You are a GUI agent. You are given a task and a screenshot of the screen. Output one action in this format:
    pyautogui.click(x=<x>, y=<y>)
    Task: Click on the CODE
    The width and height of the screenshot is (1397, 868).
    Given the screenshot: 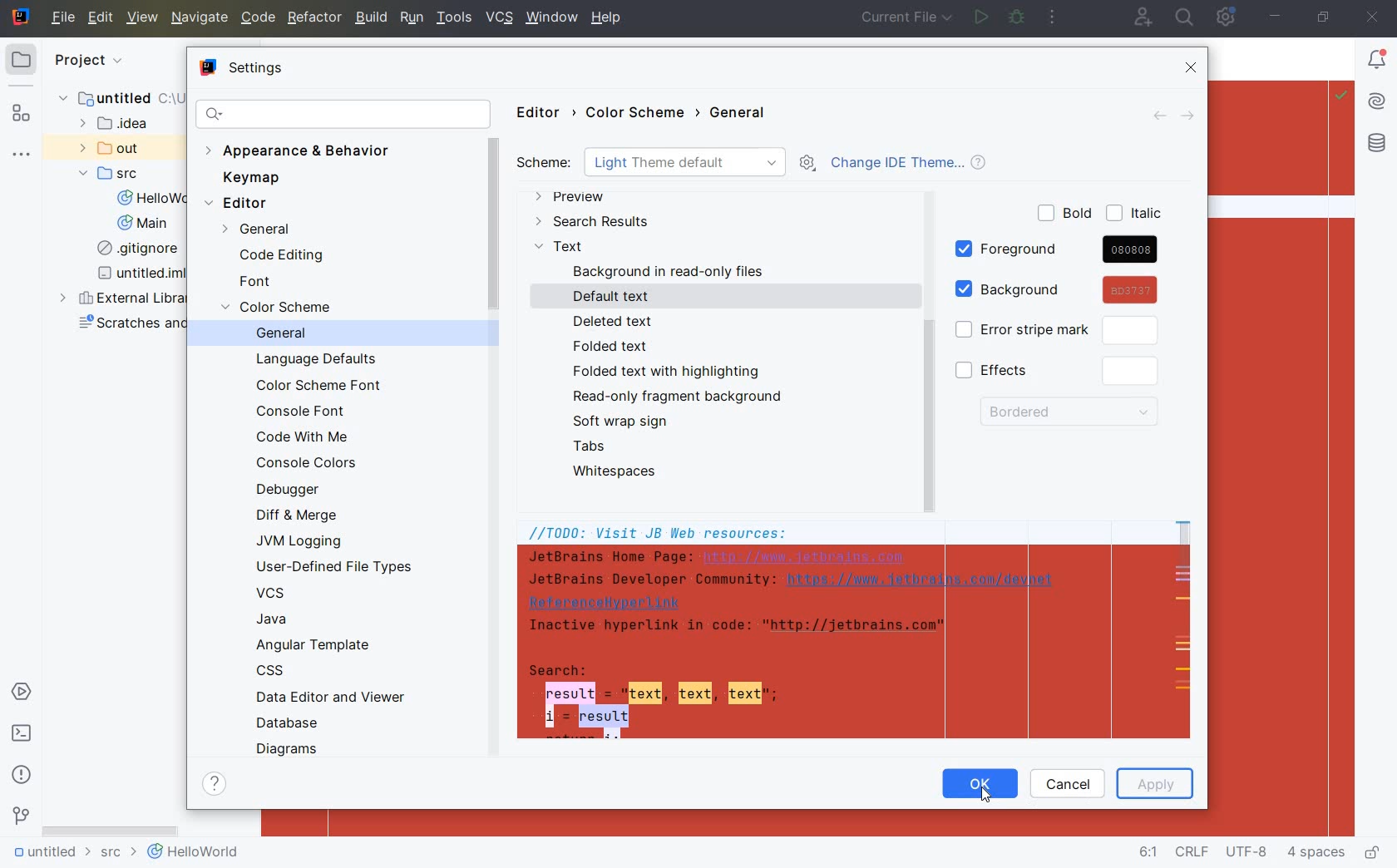 What is the action you would take?
    pyautogui.click(x=258, y=19)
    